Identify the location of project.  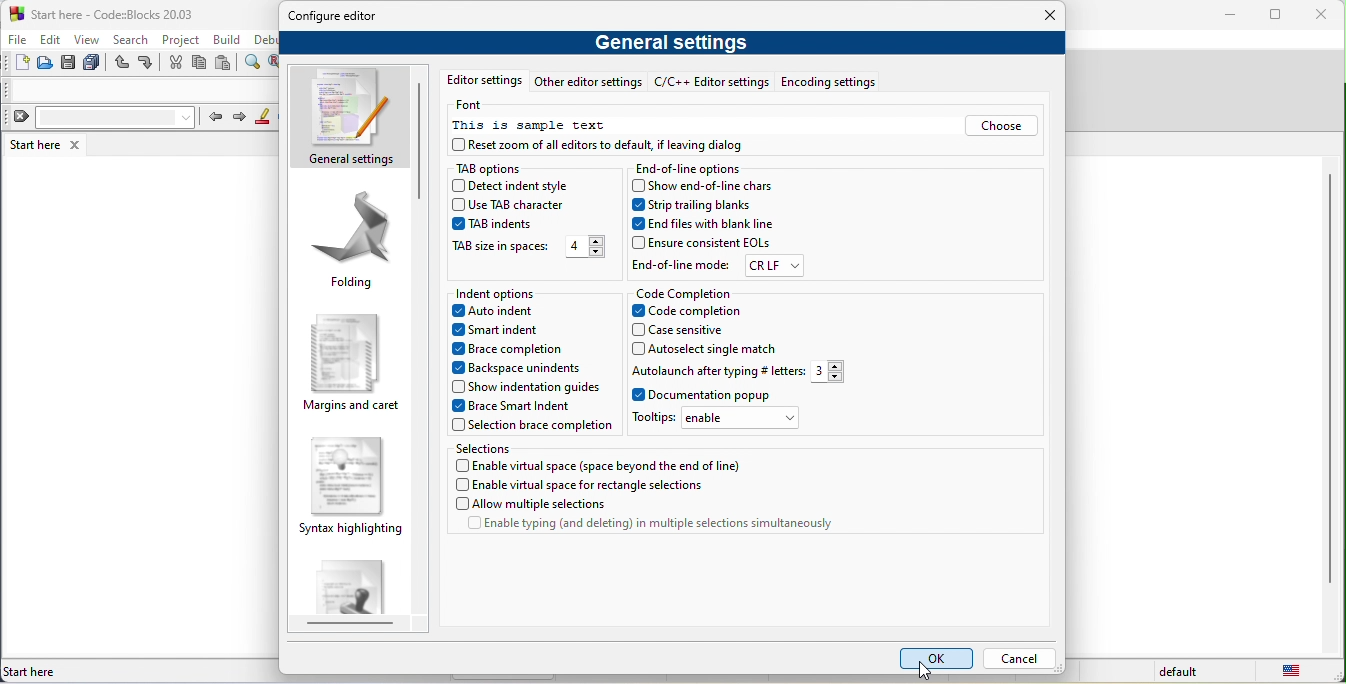
(181, 39).